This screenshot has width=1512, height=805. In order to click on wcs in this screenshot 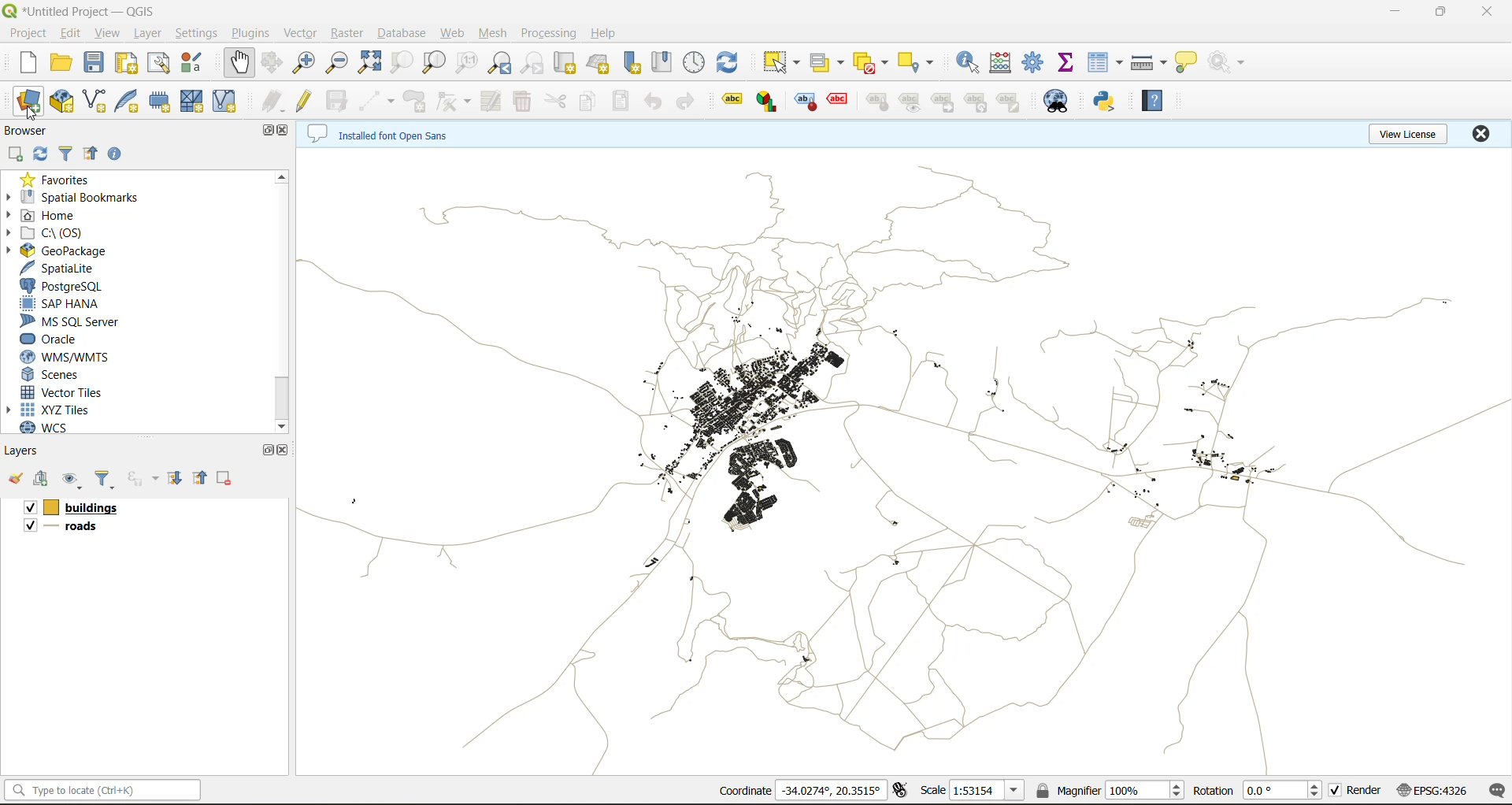, I will do `click(53, 428)`.